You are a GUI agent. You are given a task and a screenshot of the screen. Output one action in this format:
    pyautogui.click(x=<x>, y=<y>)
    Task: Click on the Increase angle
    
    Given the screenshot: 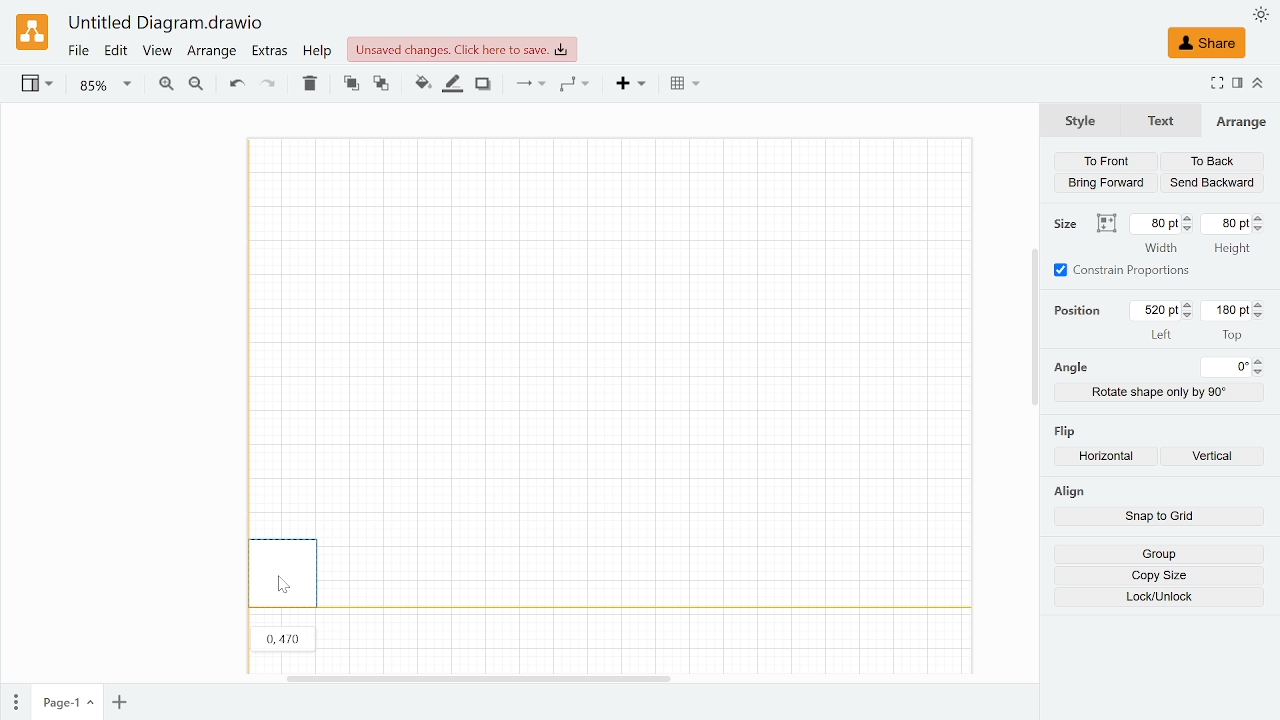 What is the action you would take?
    pyautogui.click(x=1260, y=361)
    